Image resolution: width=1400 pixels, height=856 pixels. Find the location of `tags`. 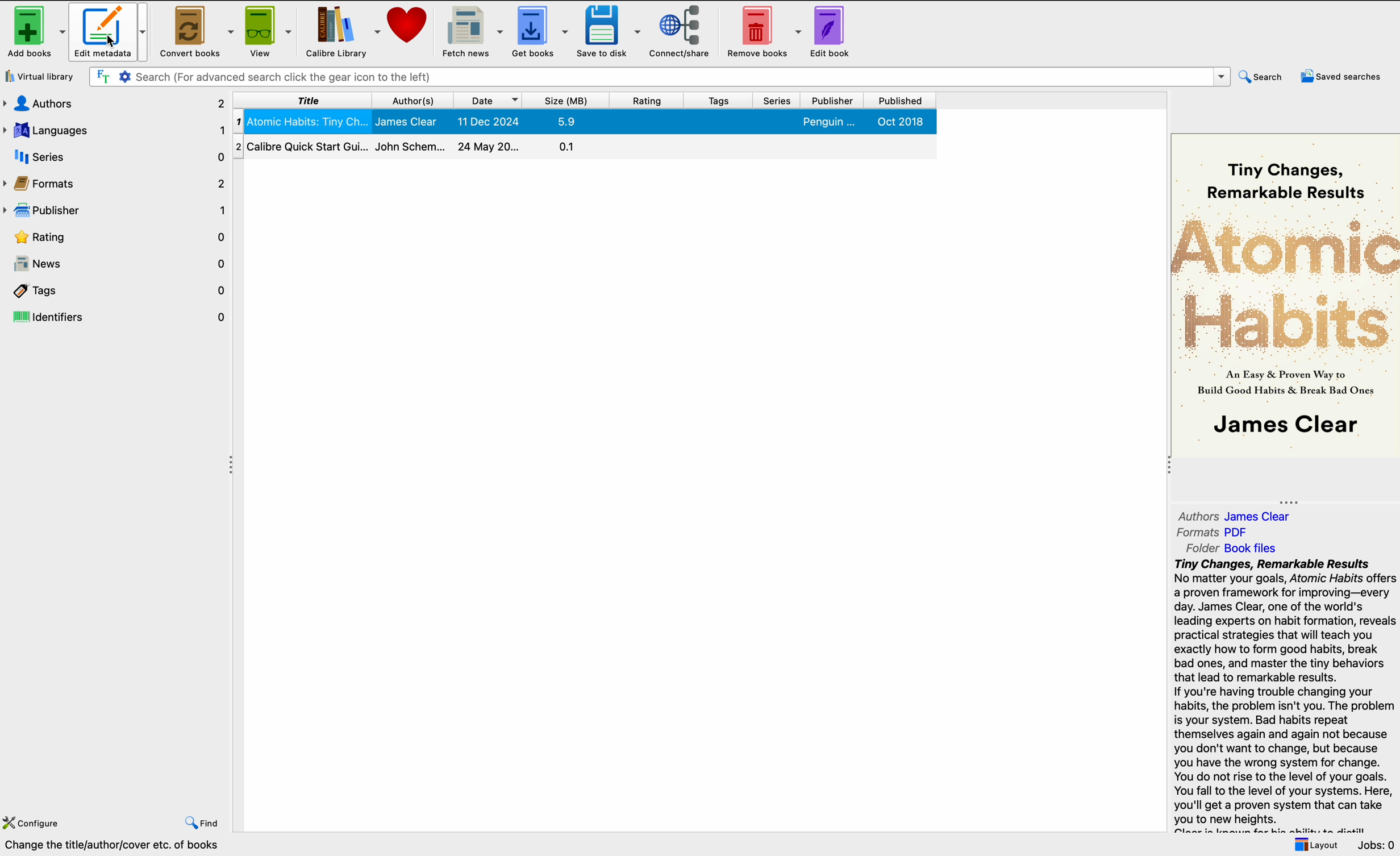

tags is located at coordinates (115, 290).